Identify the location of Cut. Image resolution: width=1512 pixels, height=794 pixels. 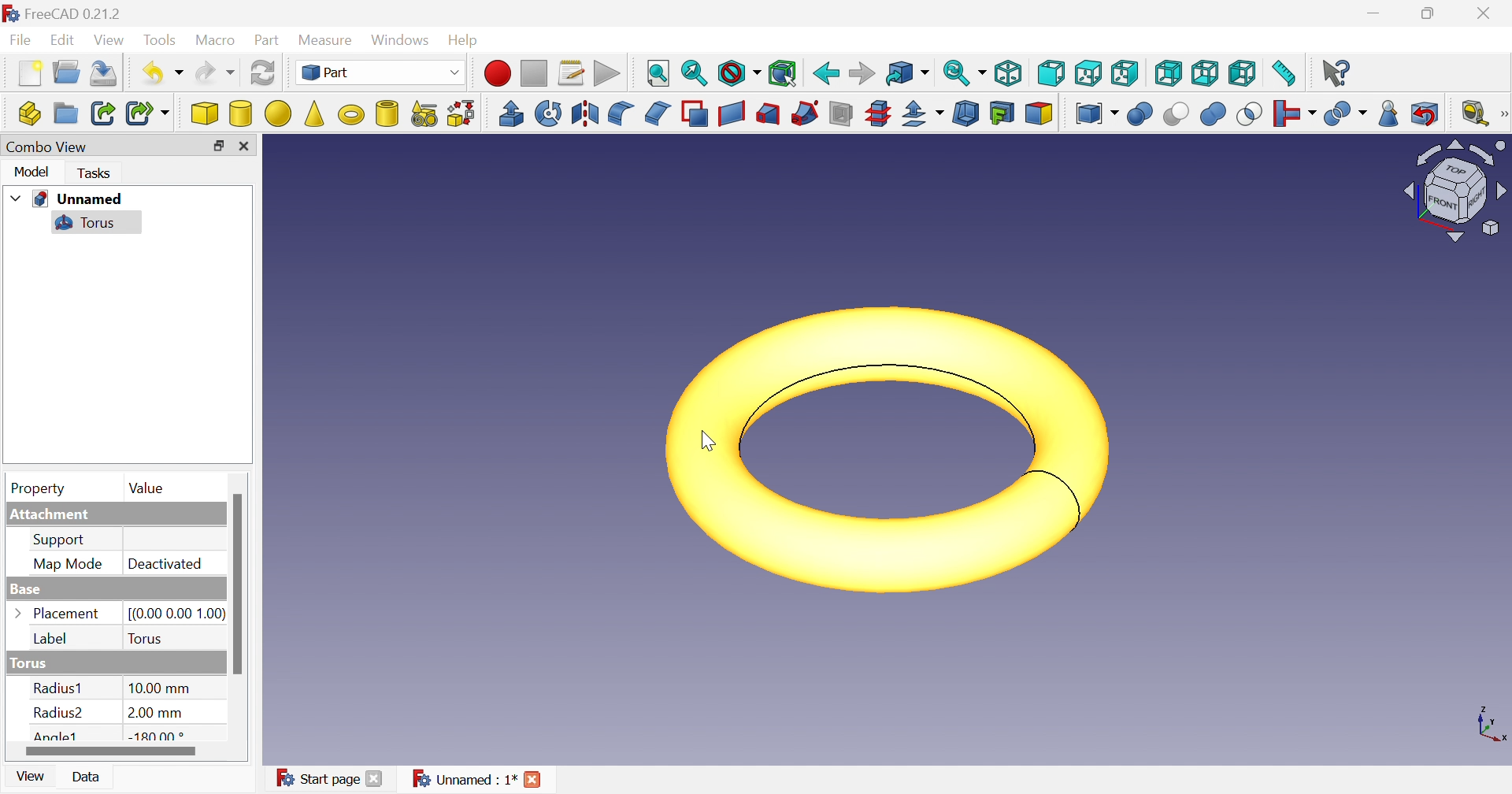
(1177, 117).